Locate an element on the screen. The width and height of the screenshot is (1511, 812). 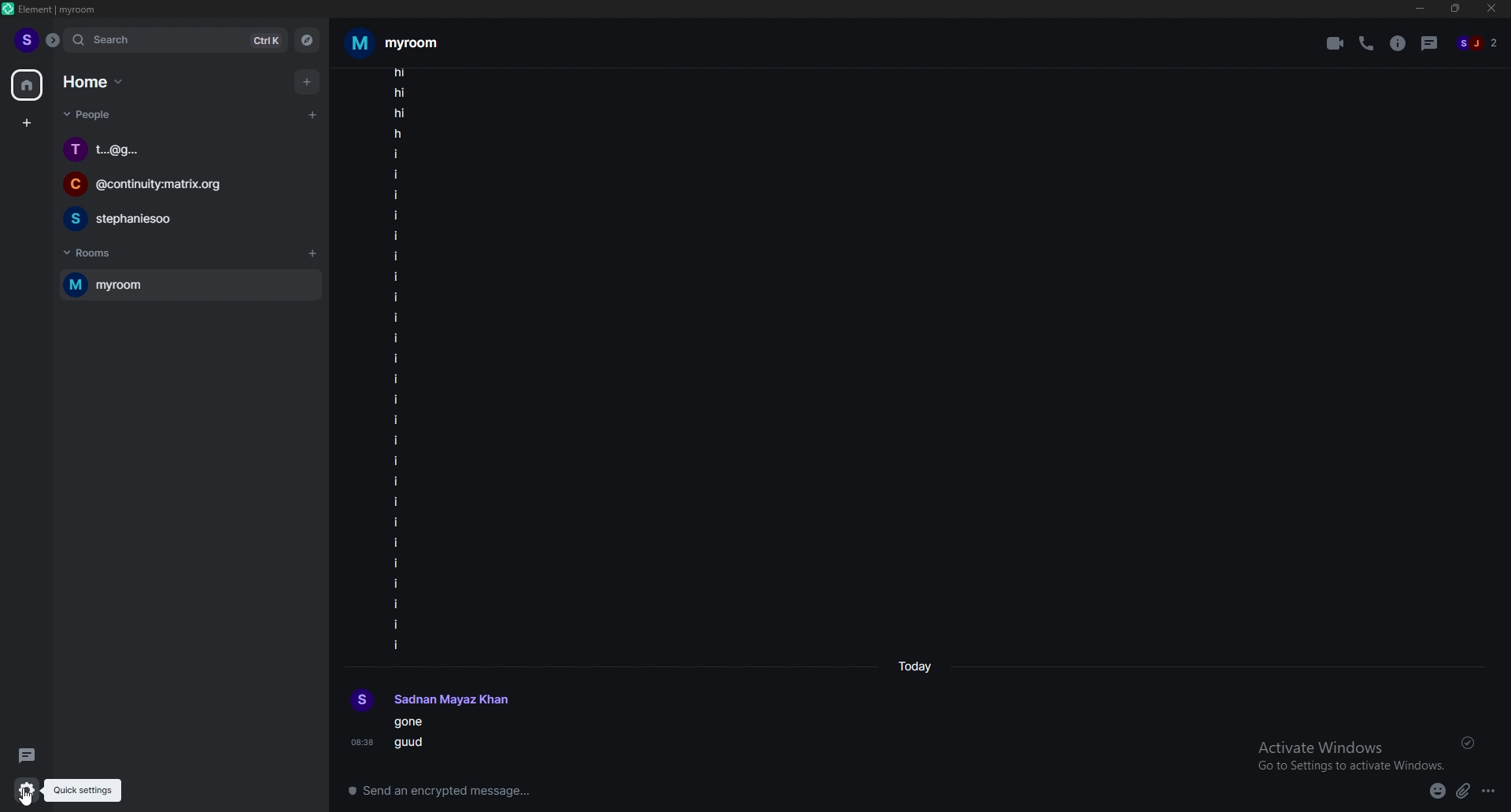
video call is located at coordinates (1336, 42).